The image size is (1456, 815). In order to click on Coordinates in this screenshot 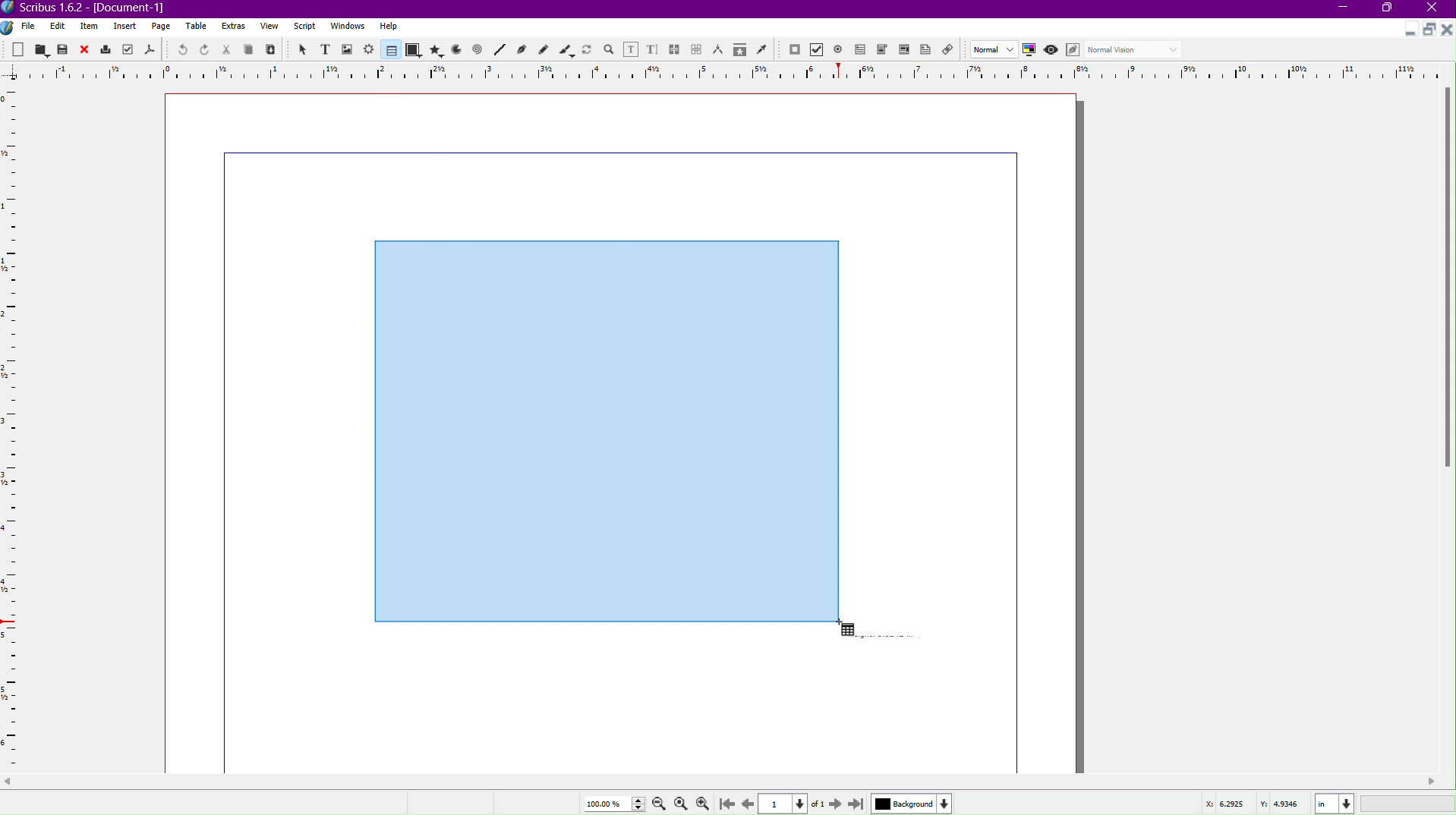, I will do `click(1325, 802)`.